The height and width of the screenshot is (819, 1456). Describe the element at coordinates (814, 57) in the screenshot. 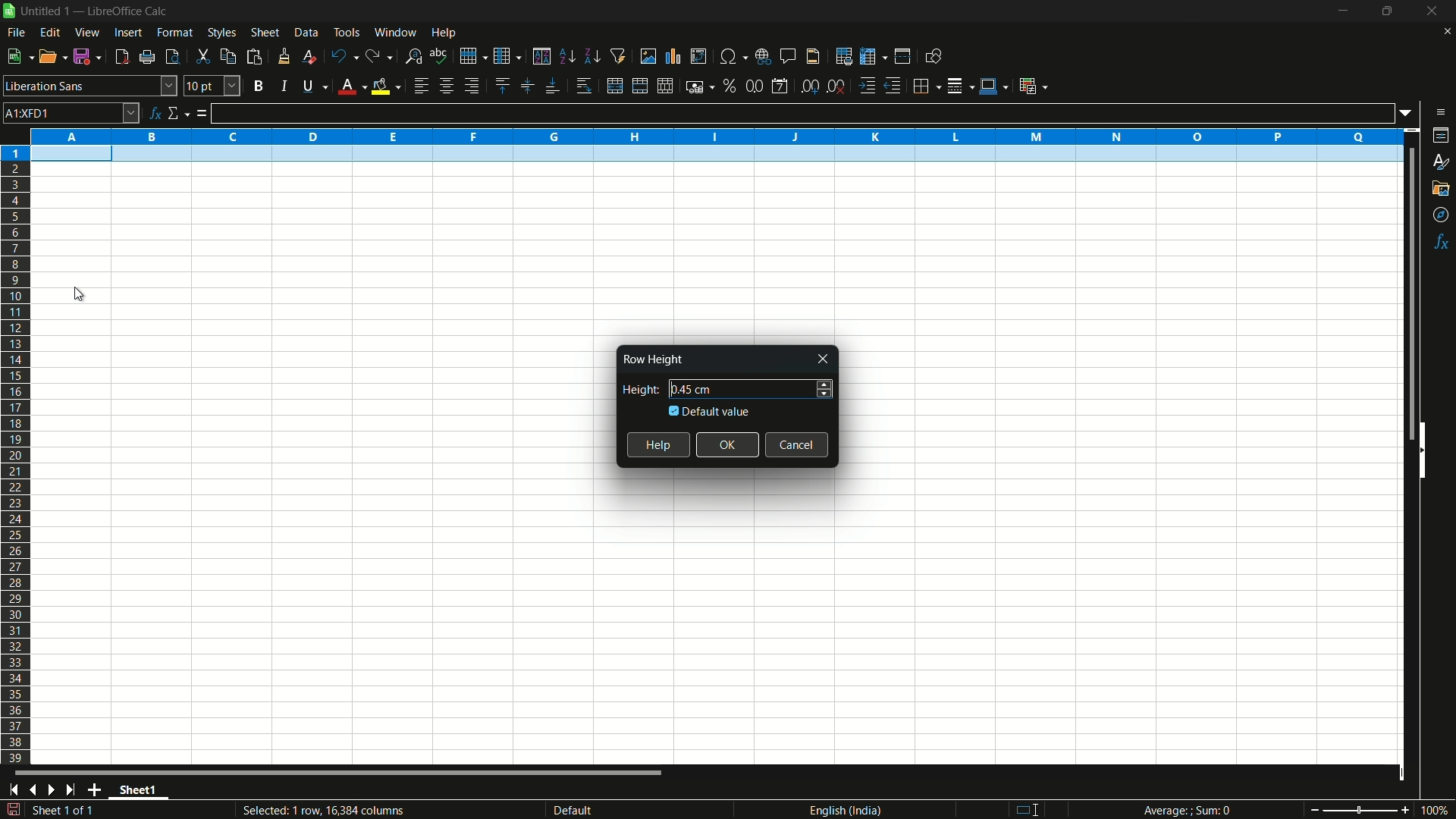

I see `header and footer` at that location.